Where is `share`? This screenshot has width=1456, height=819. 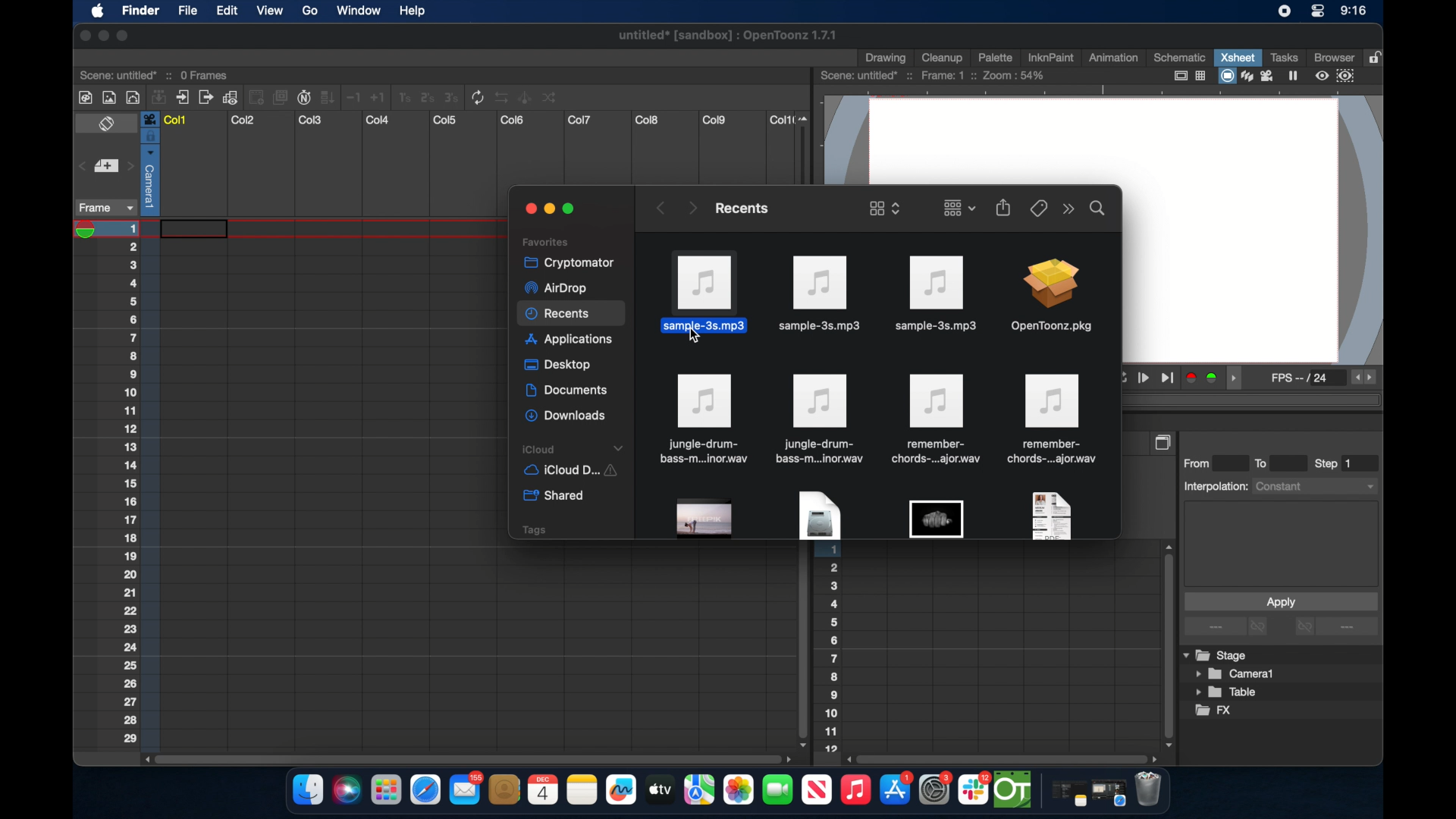 share is located at coordinates (1004, 207).